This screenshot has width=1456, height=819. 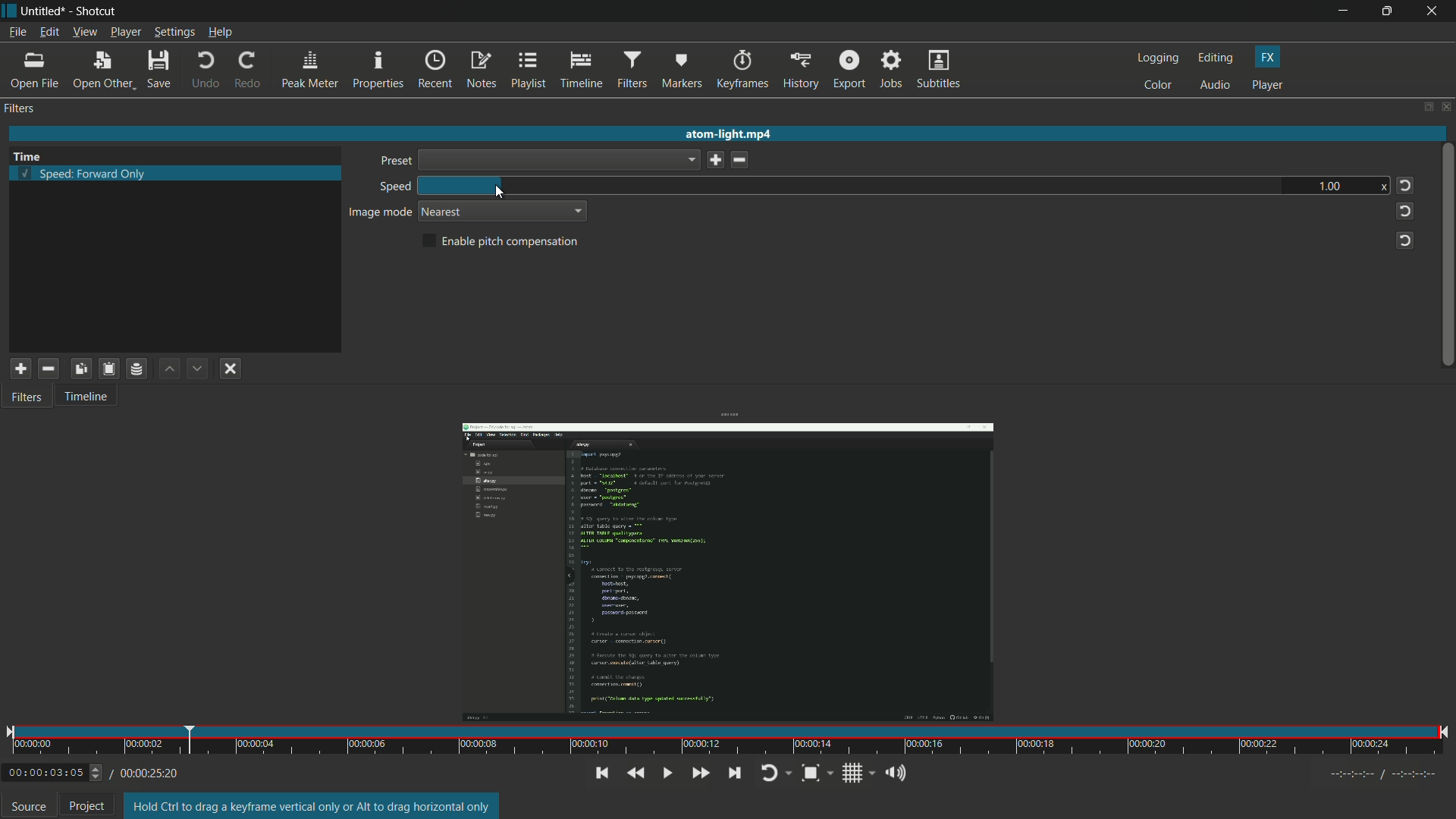 What do you see at coordinates (435, 71) in the screenshot?
I see `recent` at bounding box center [435, 71].